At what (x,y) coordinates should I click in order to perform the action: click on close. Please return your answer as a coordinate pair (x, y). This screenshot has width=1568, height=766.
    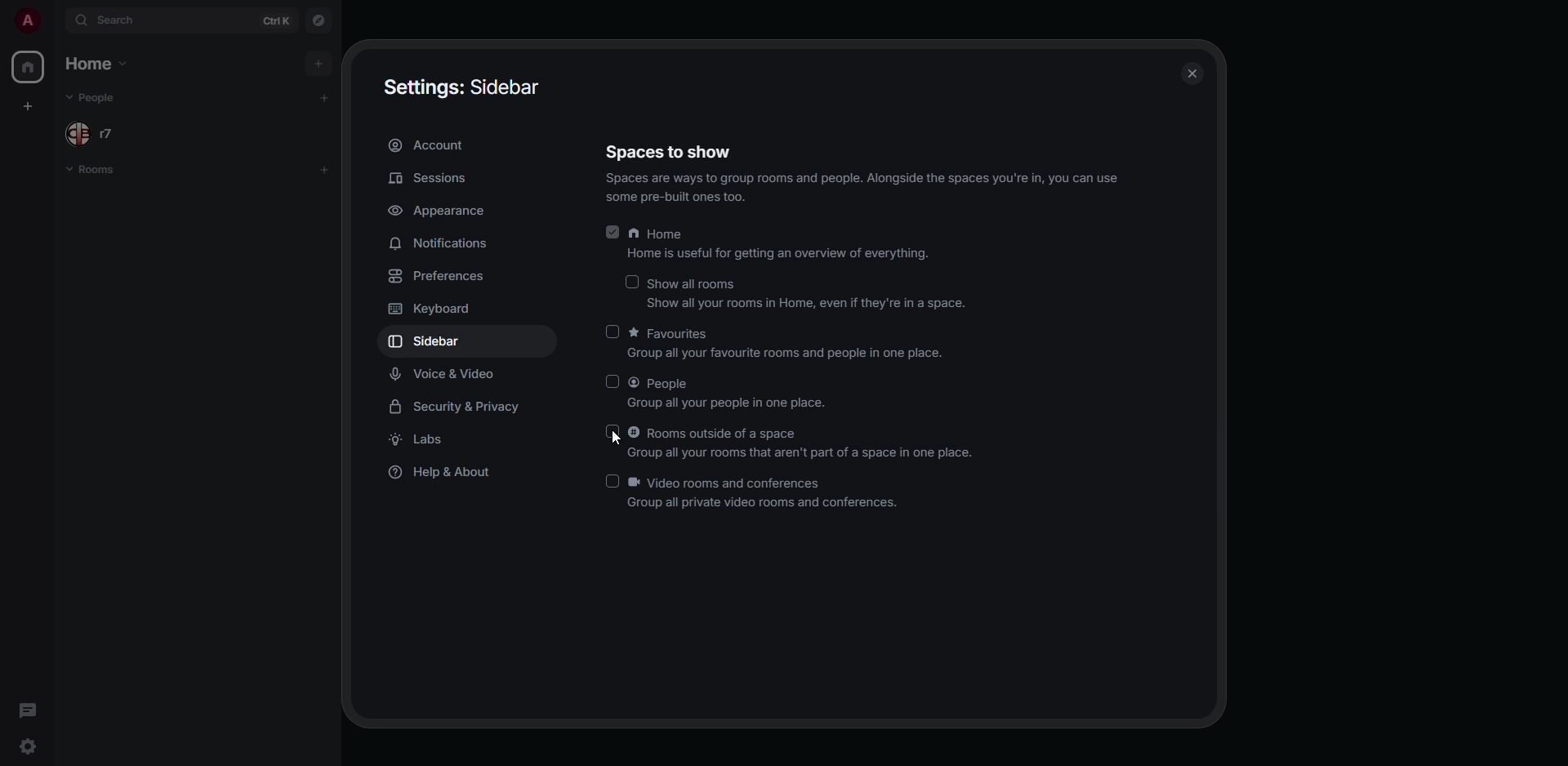
    Looking at the image, I should click on (1187, 70).